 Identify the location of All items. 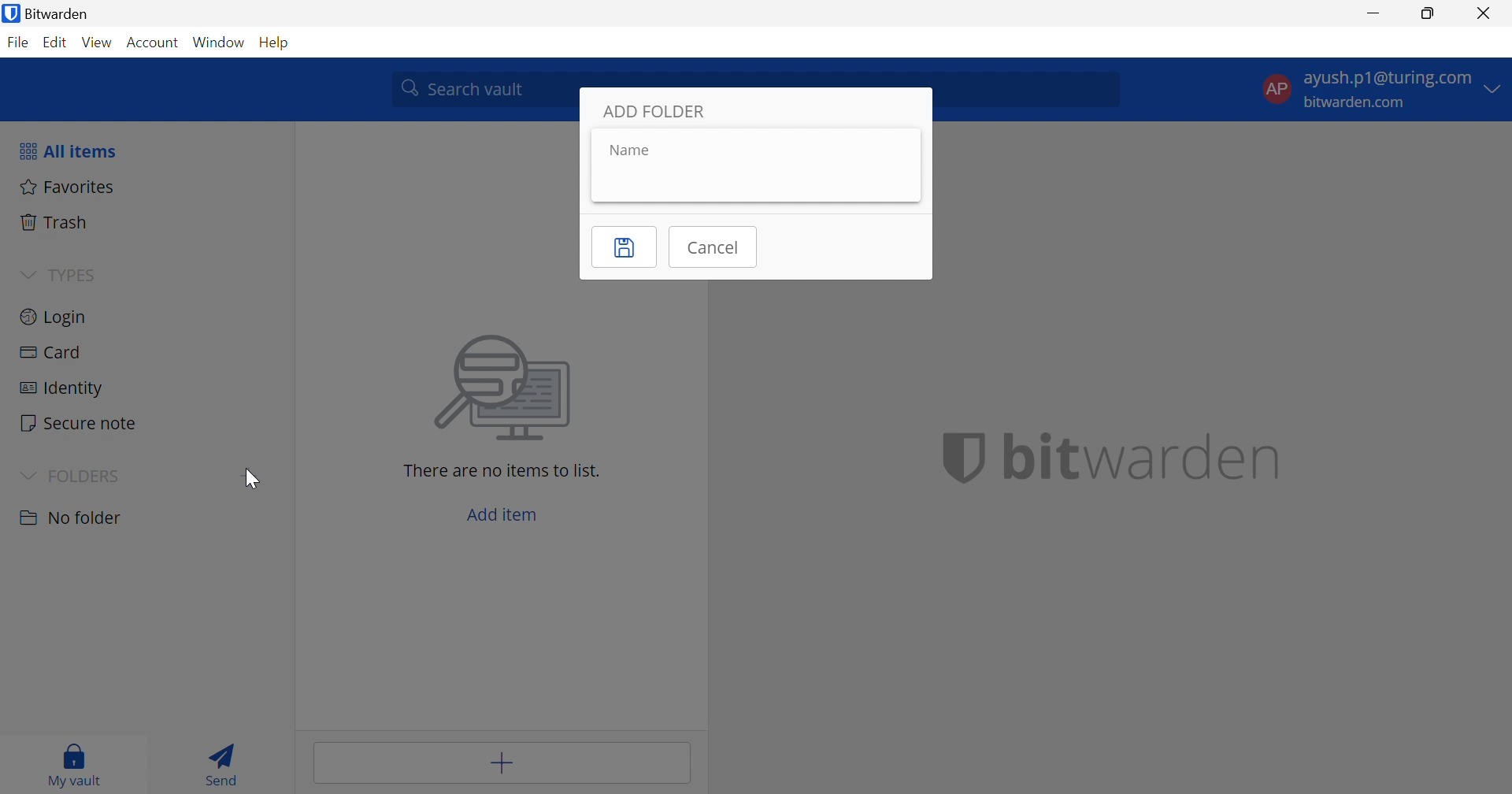
(68, 151).